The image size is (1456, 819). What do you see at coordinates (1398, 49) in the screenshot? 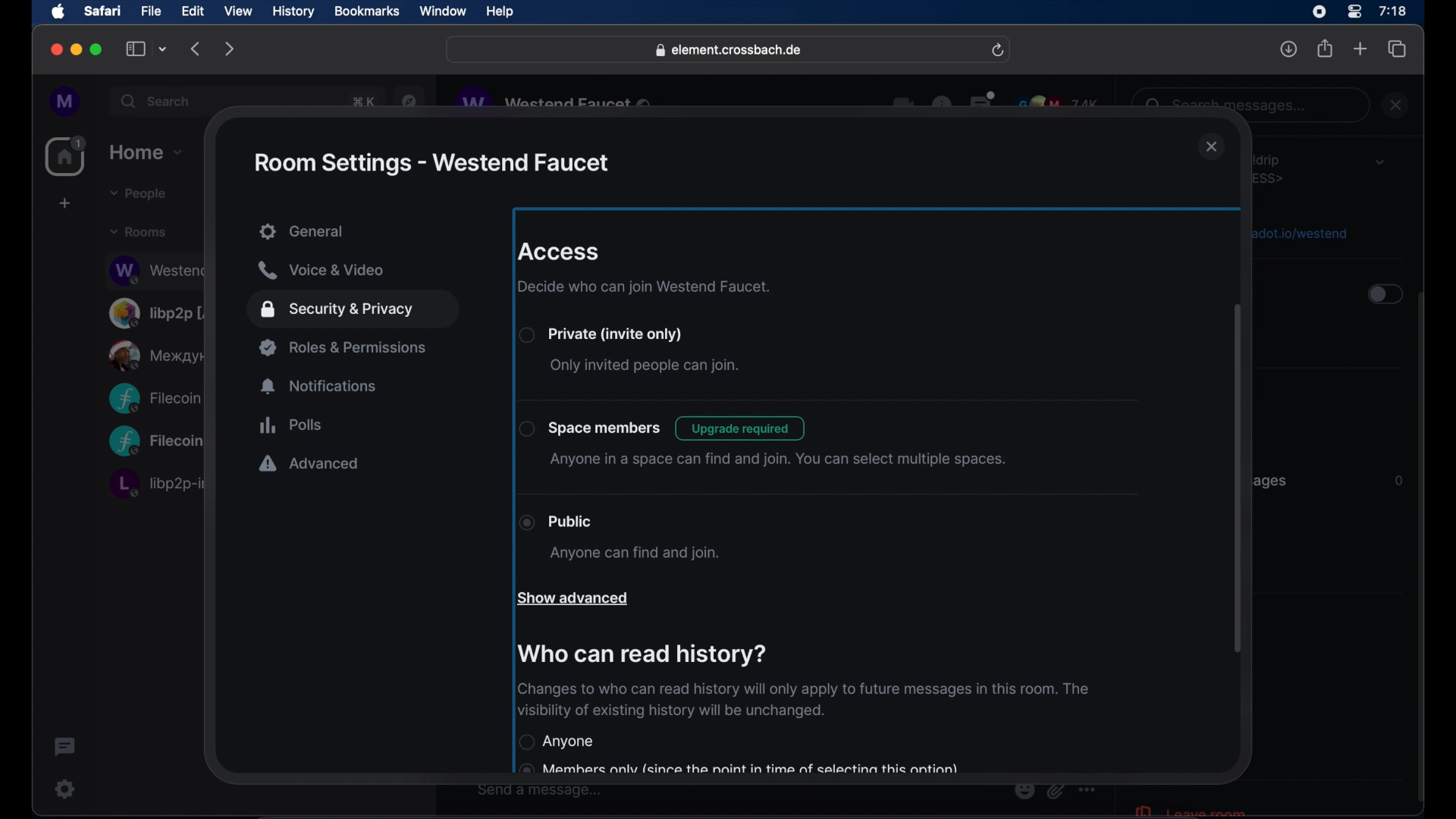
I see `show tab overview` at bounding box center [1398, 49].